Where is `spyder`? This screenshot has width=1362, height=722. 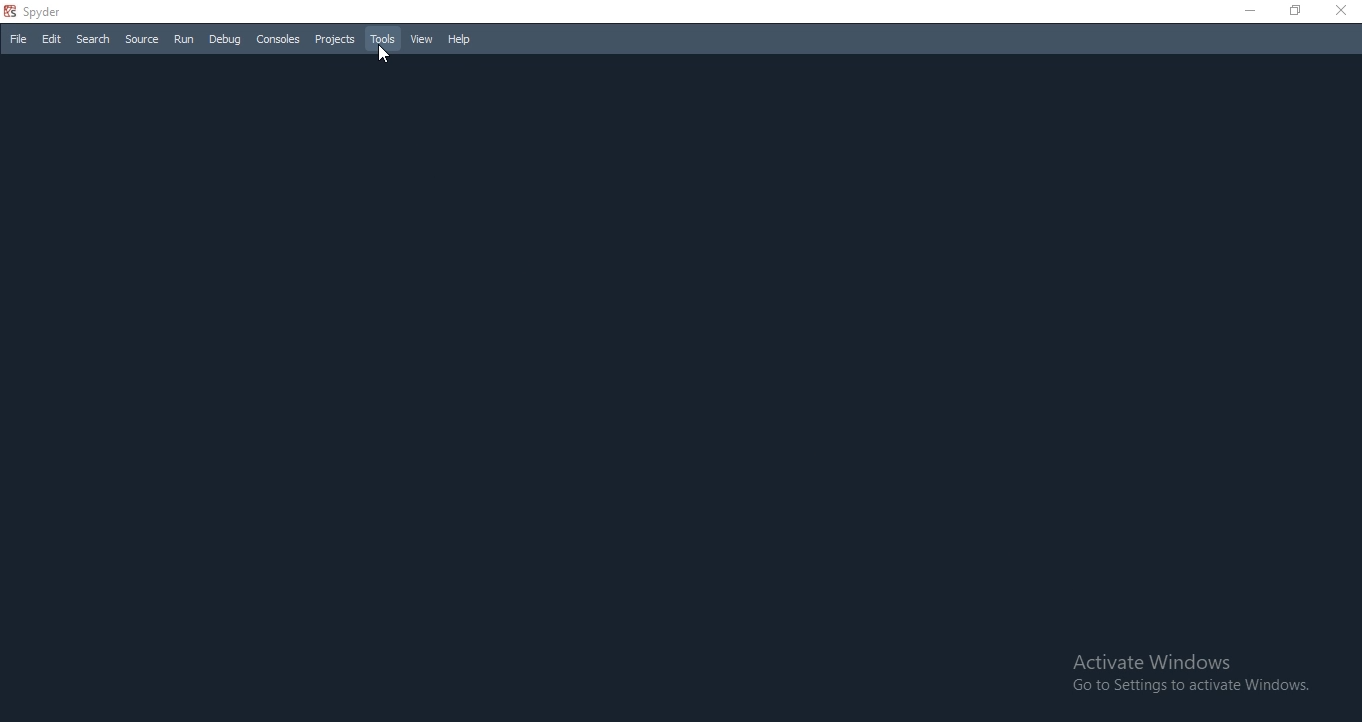
spyder is located at coordinates (52, 12).